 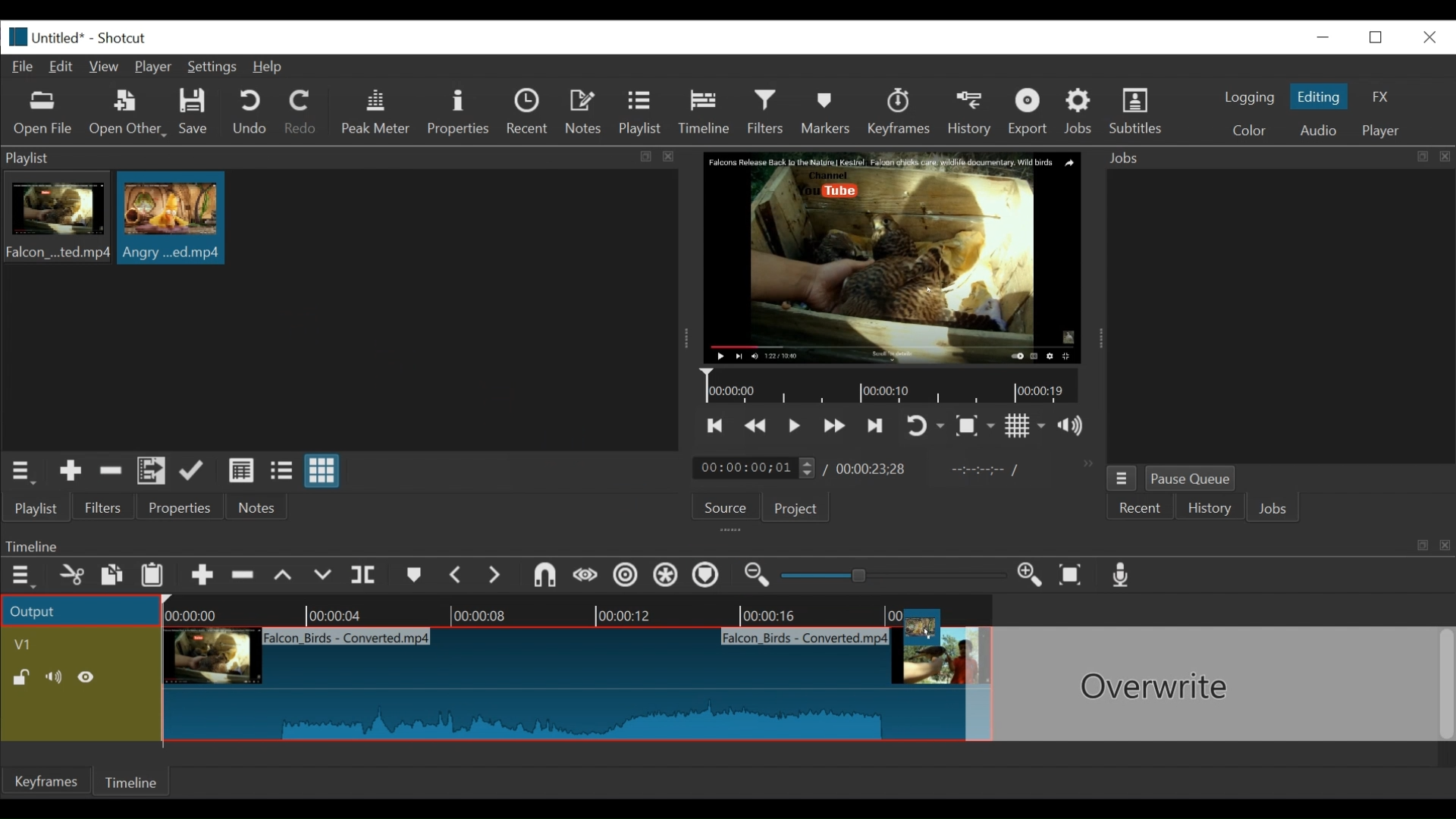 What do you see at coordinates (325, 576) in the screenshot?
I see `overwrite` at bounding box center [325, 576].